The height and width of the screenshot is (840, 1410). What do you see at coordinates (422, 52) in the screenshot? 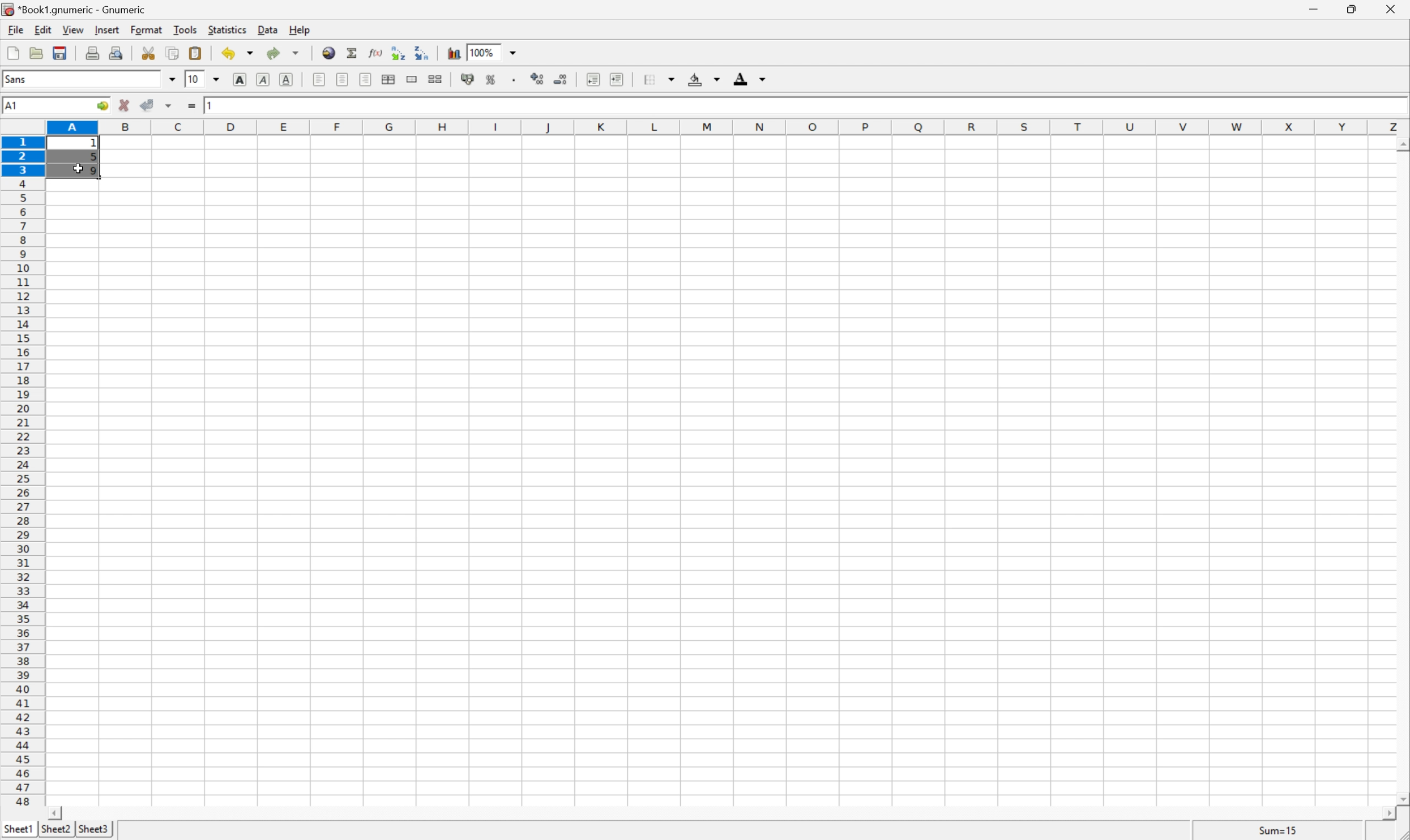
I see `Sort the selected region in descending order based on the first column selected` at bounding box center [422, 52].